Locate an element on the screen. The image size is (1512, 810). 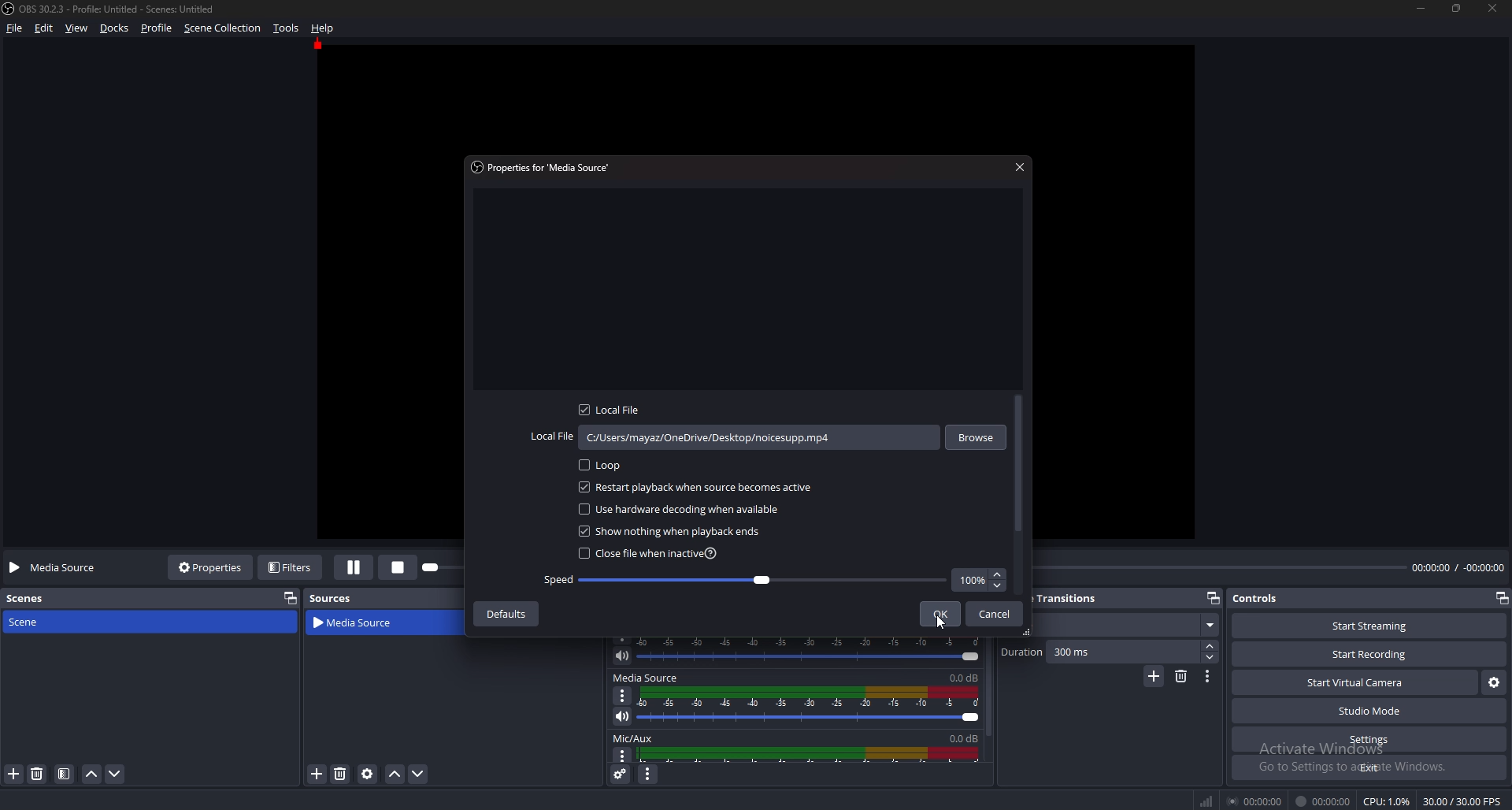
speed is located at coordinates (979, 580).